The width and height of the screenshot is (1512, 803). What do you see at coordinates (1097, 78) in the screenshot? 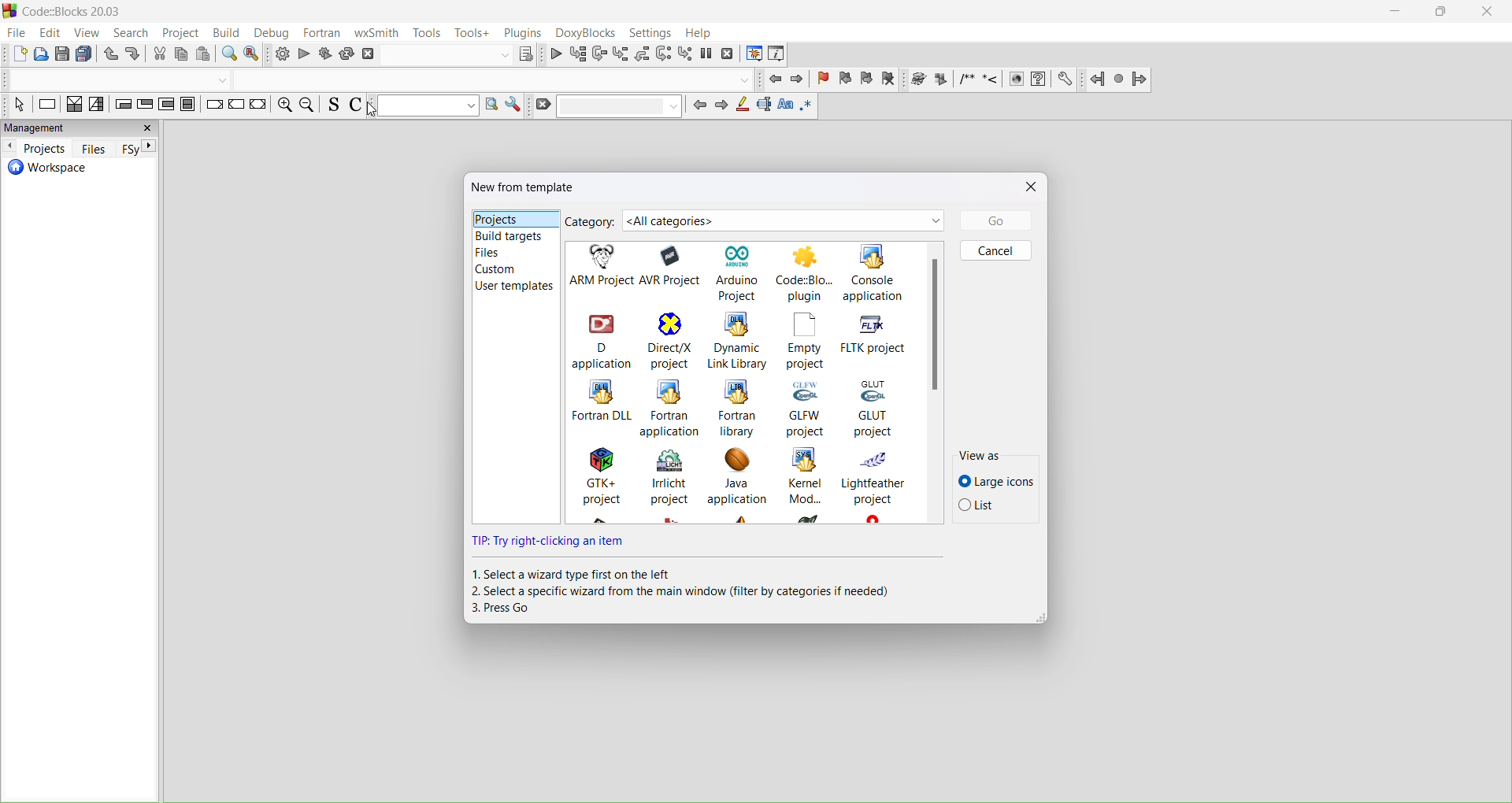
I see `Jump back` at bounding box center [1097, 78].